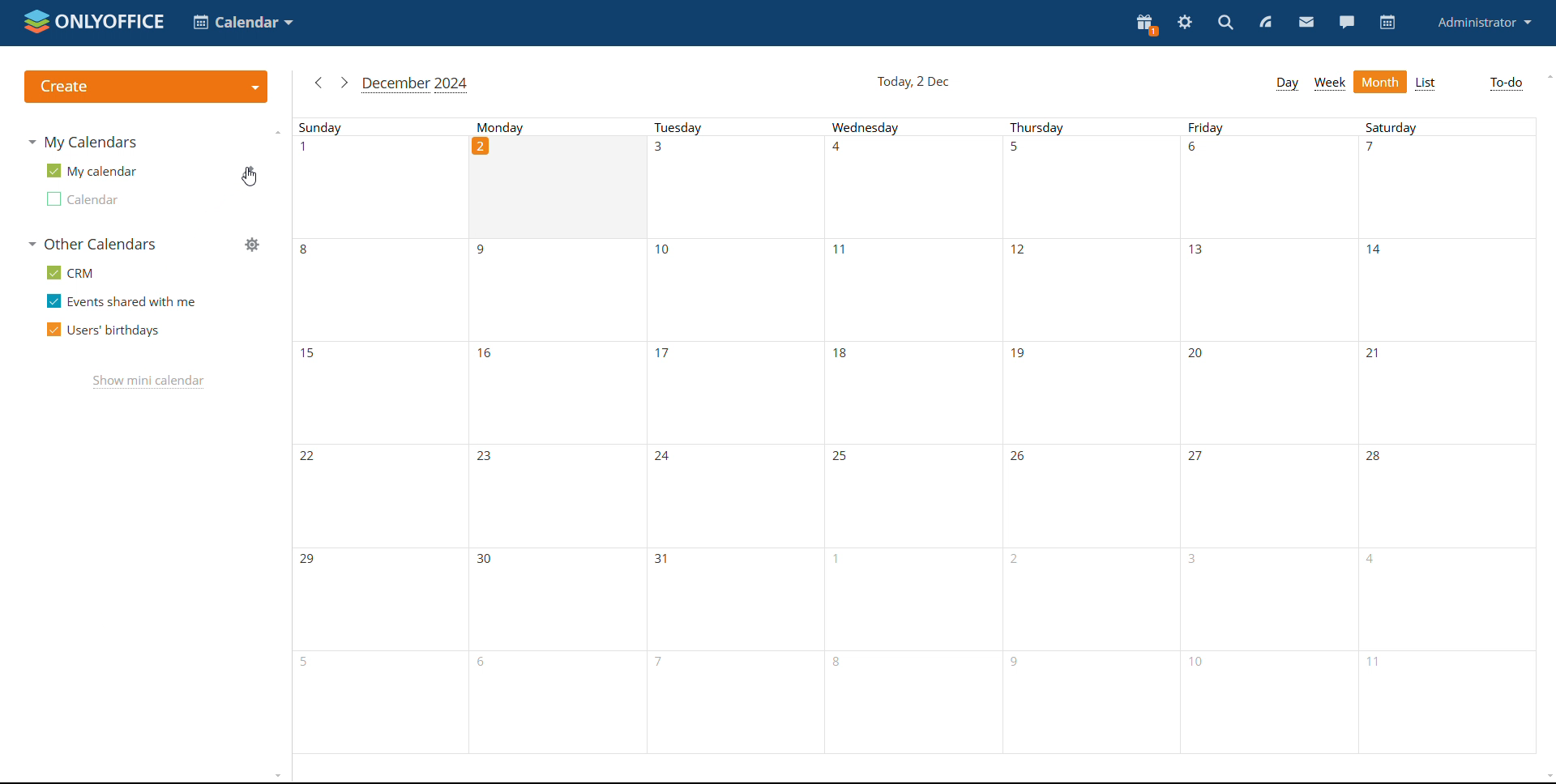 The height and width of the screenshot is (784, 1556). Describe the element at coordinates (416, 84) in the screenshot. I see `current month` at that location.